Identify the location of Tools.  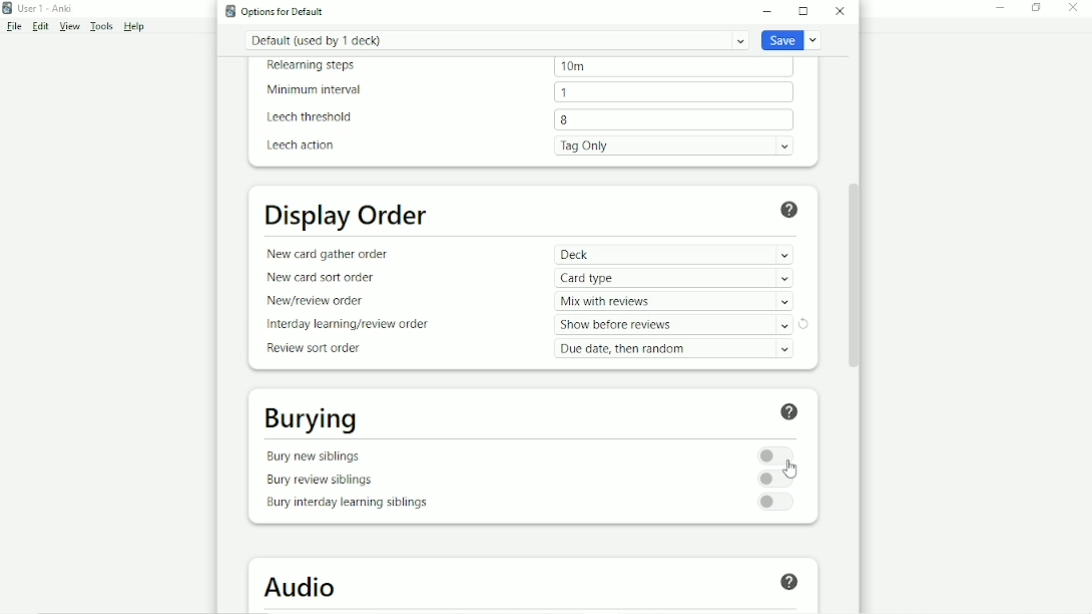
(103, 27).